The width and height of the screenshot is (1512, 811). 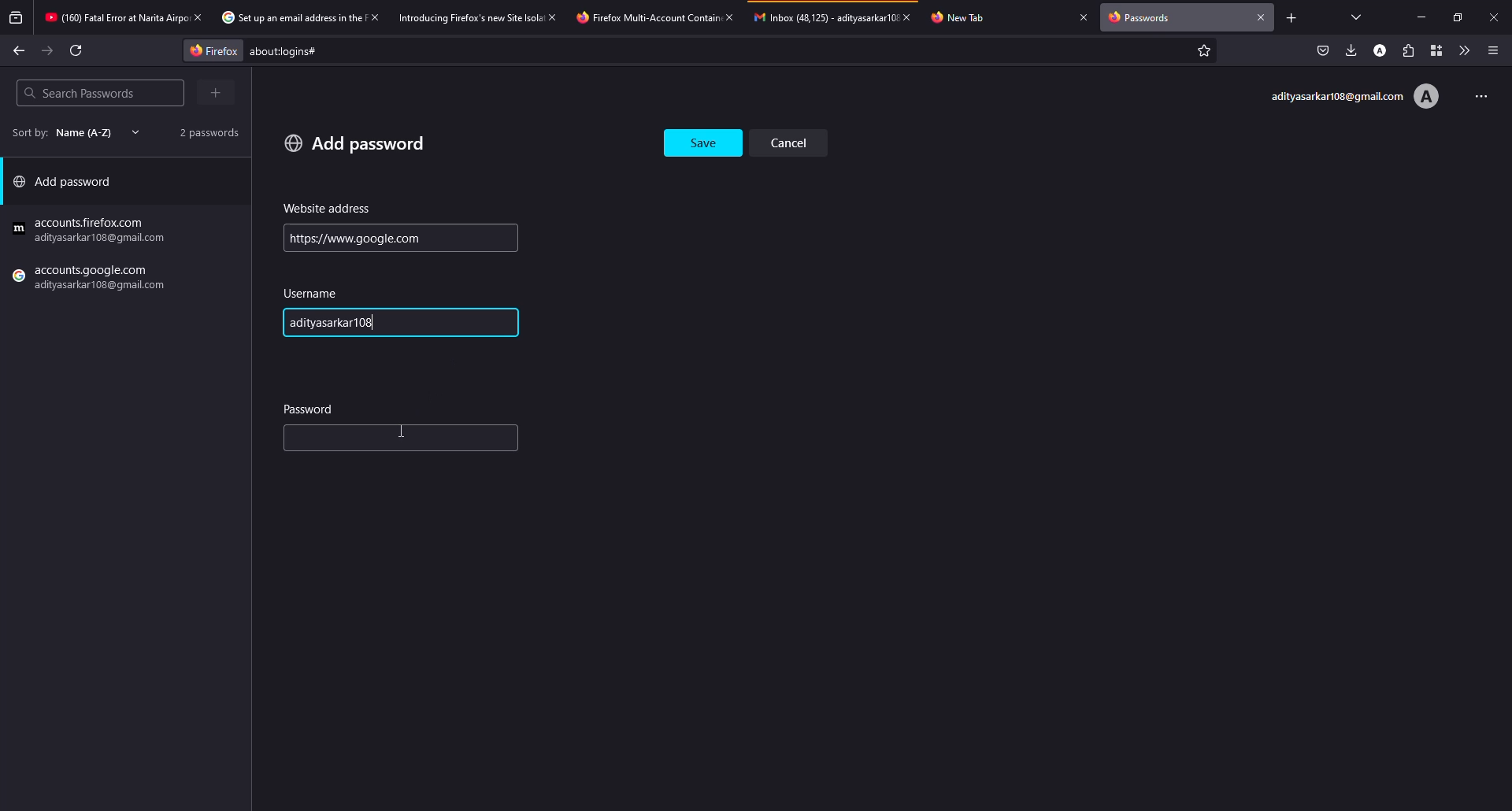 I want to click on more options, so click(x=1476, y=94).